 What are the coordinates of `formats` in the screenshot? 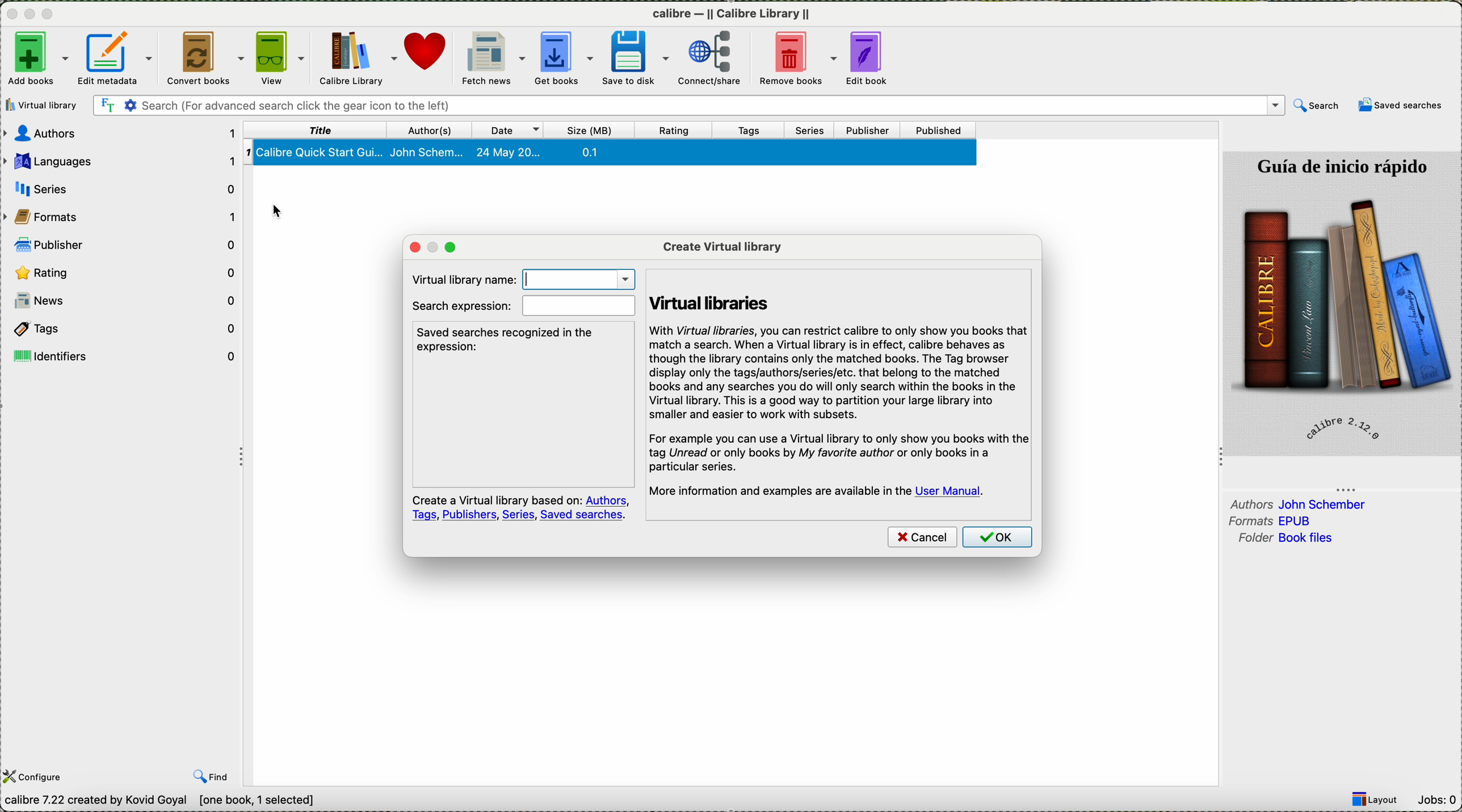 It's located at (123, 216).